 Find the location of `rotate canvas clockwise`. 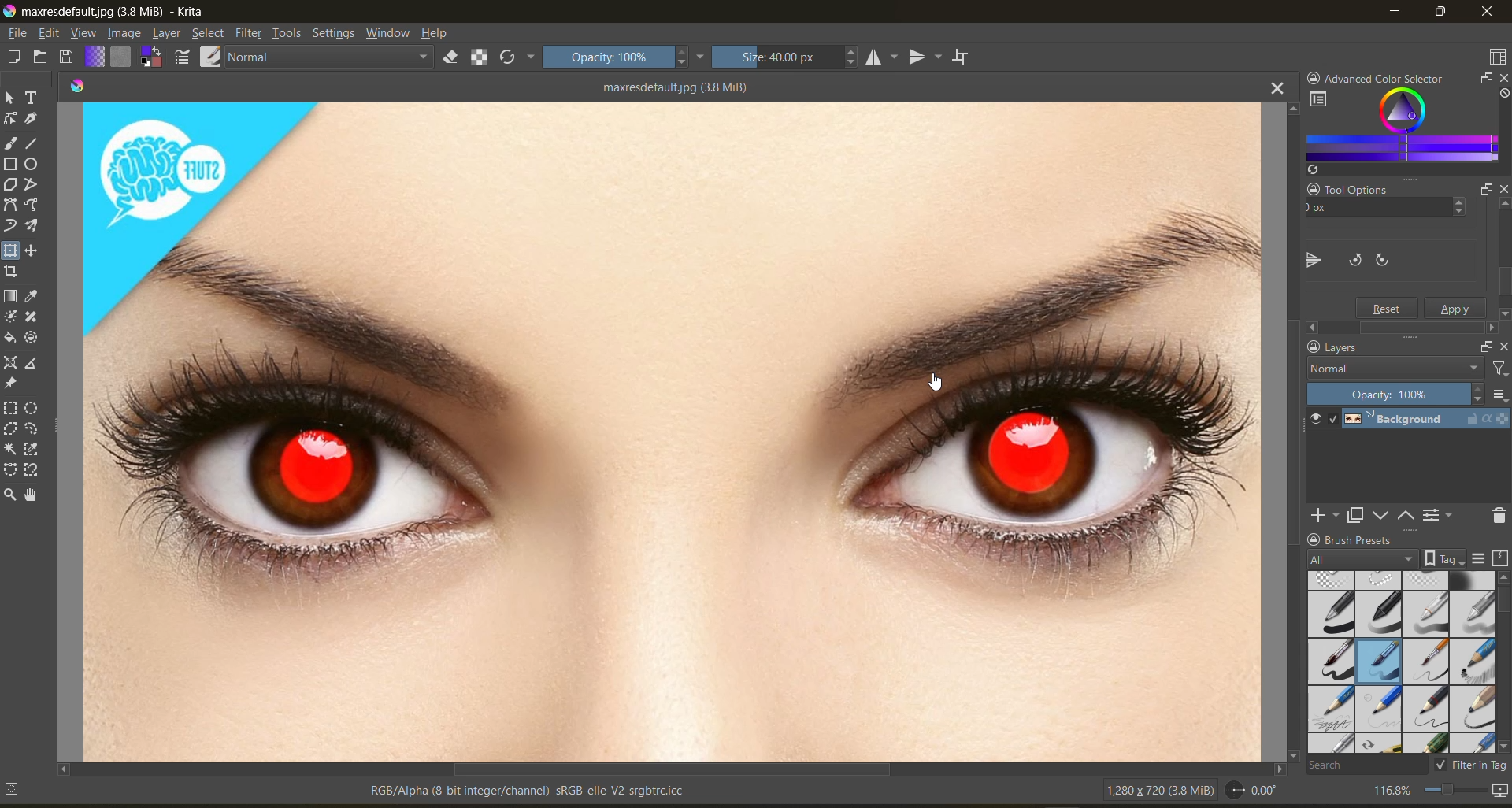

rotate canvas clockwise is located at coordinates (1451, 261).